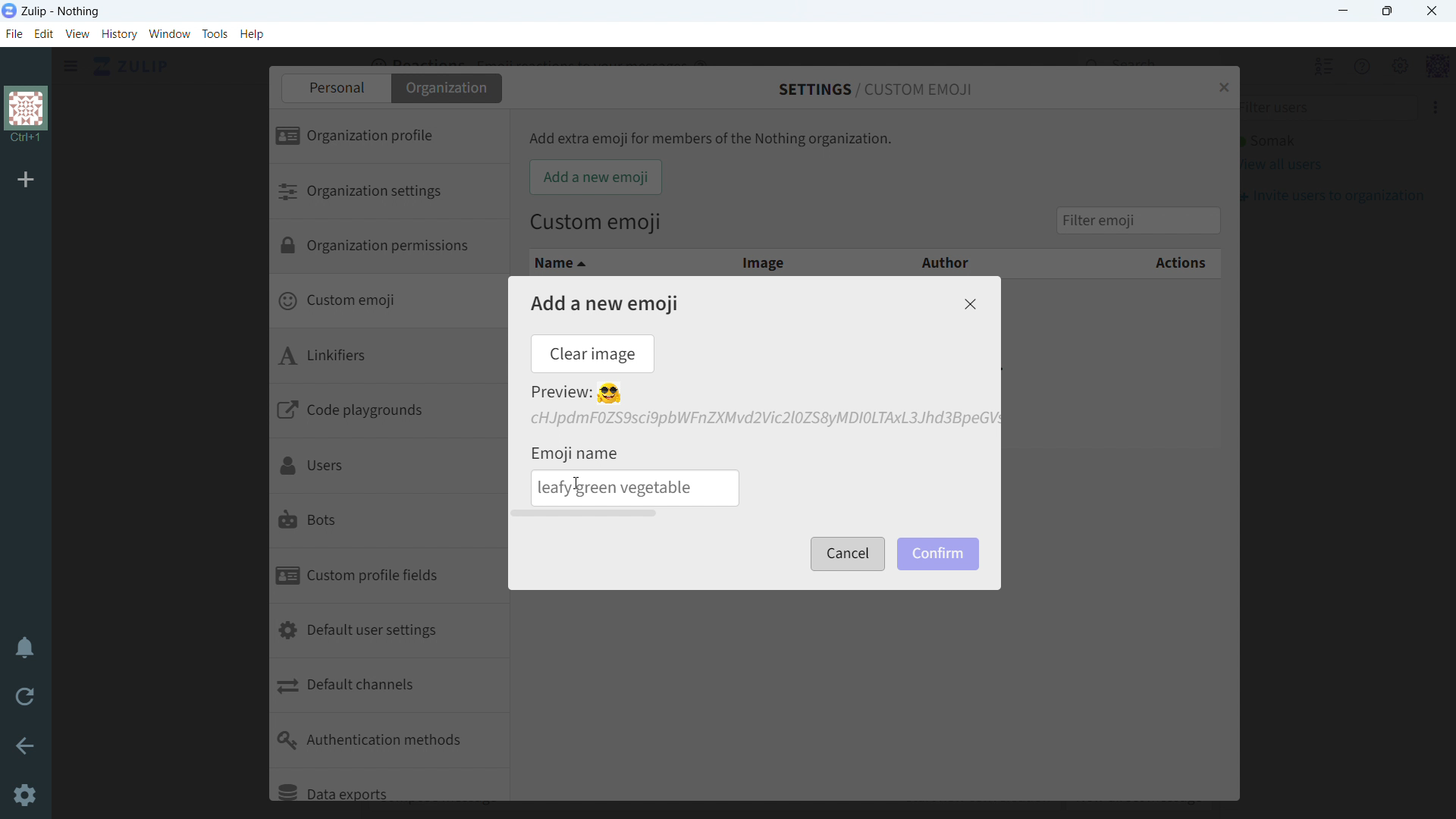 Image resolution: width=1456 pixels, height=819 pixels. Describe the element at coordinates (24, 745) in the screenshot. I see `go back` at that location.